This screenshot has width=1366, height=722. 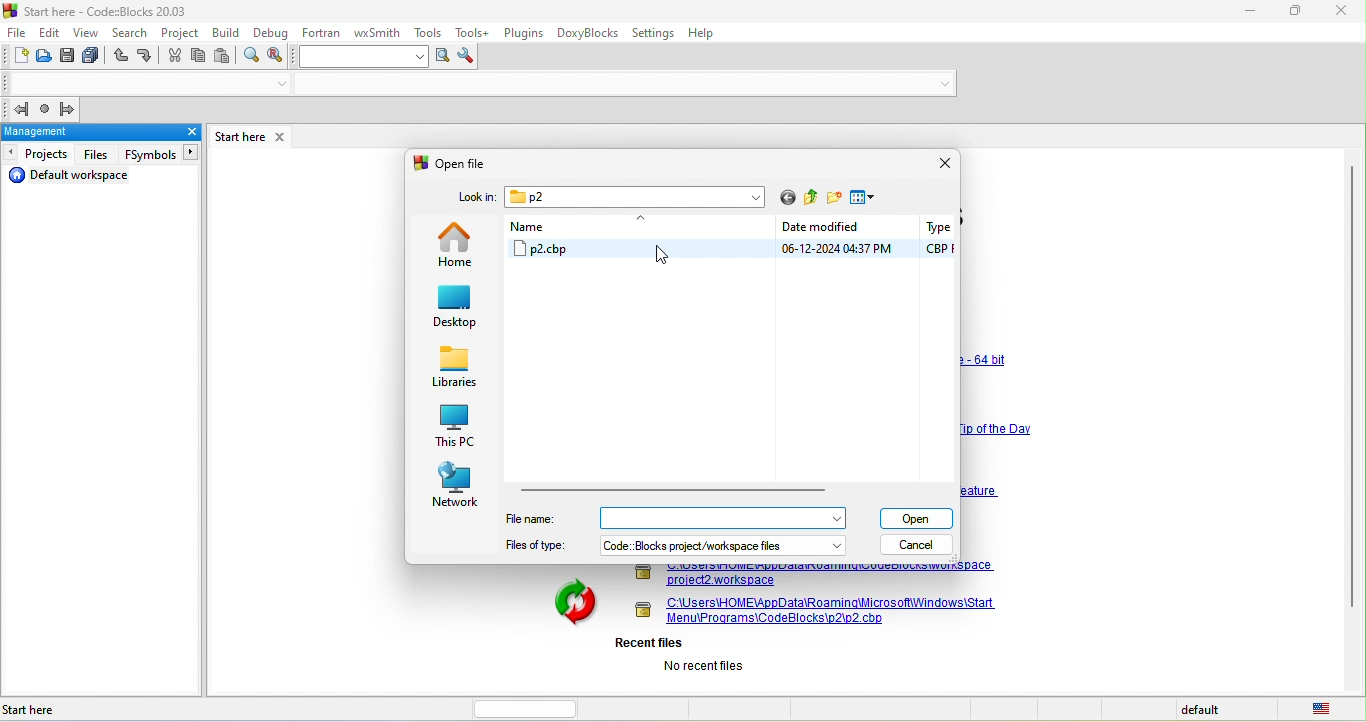 I want to click on create a new folder, so click(x=835, y=199).